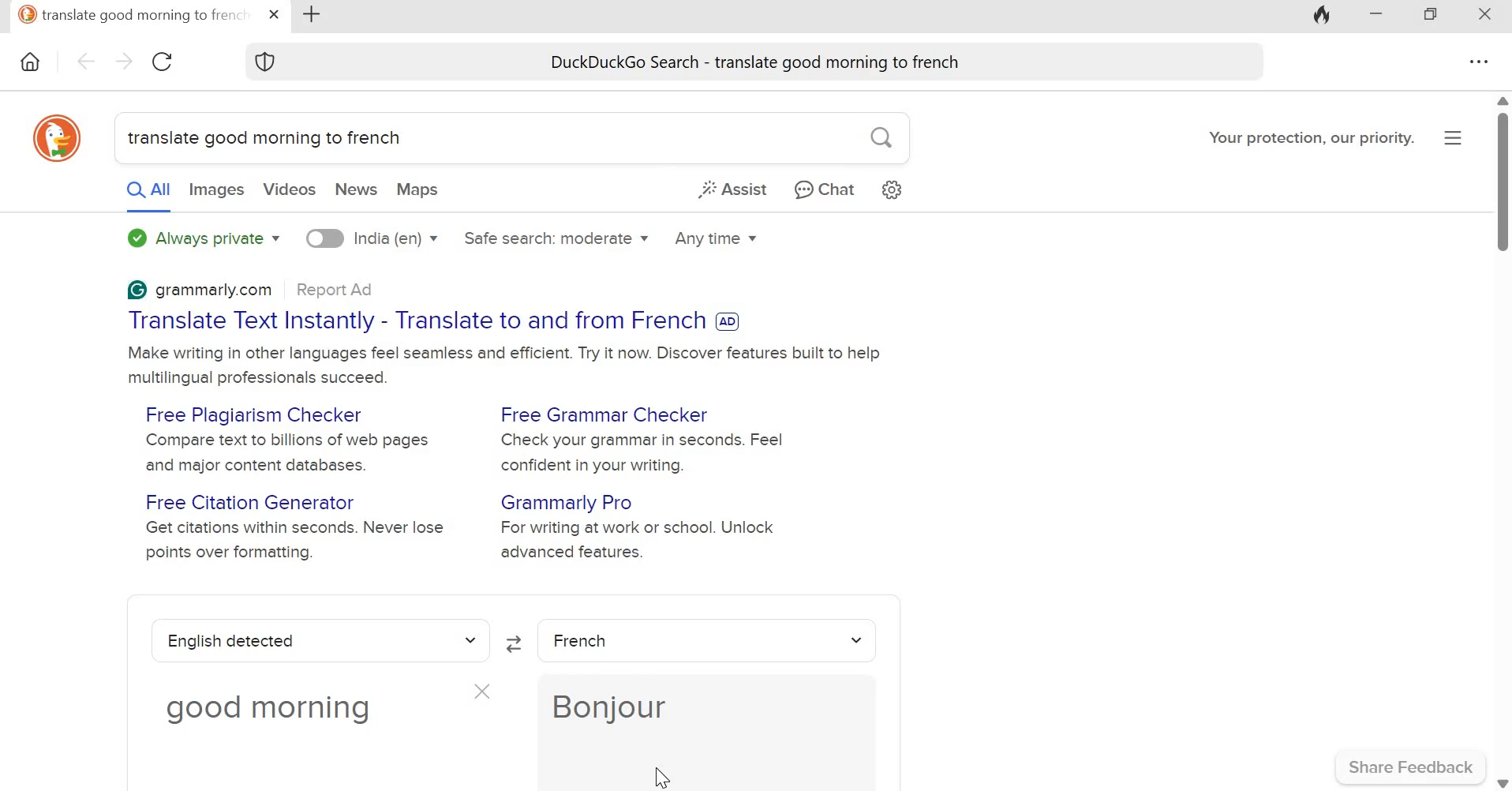 This screenshot has height=791, width=1512. What do you see at coordinates (735, 189) in the screenshot?
I see `Assist` at bounding box center [735, 189].